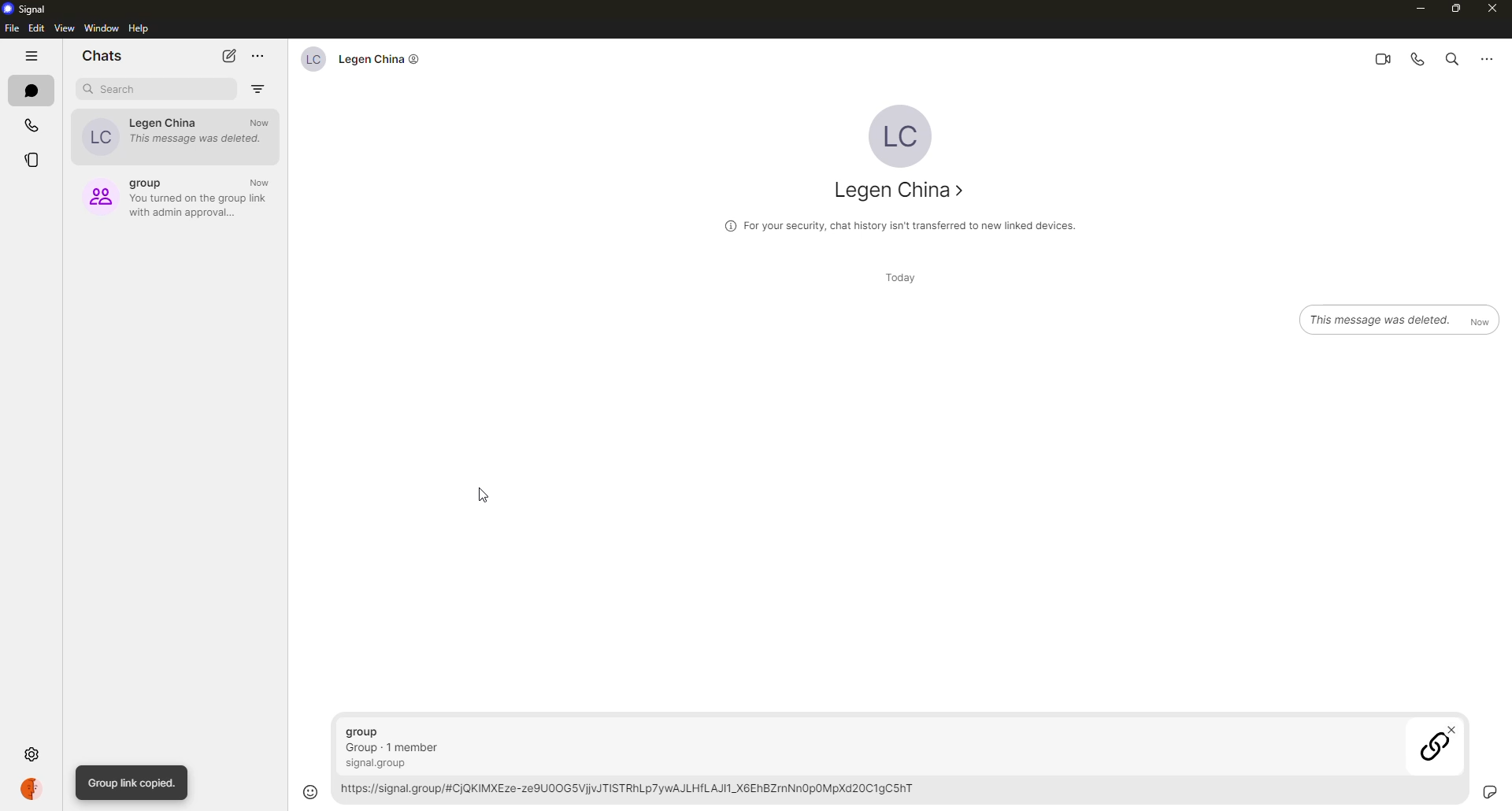  I want to click on message deleted, so click(1401, 317).